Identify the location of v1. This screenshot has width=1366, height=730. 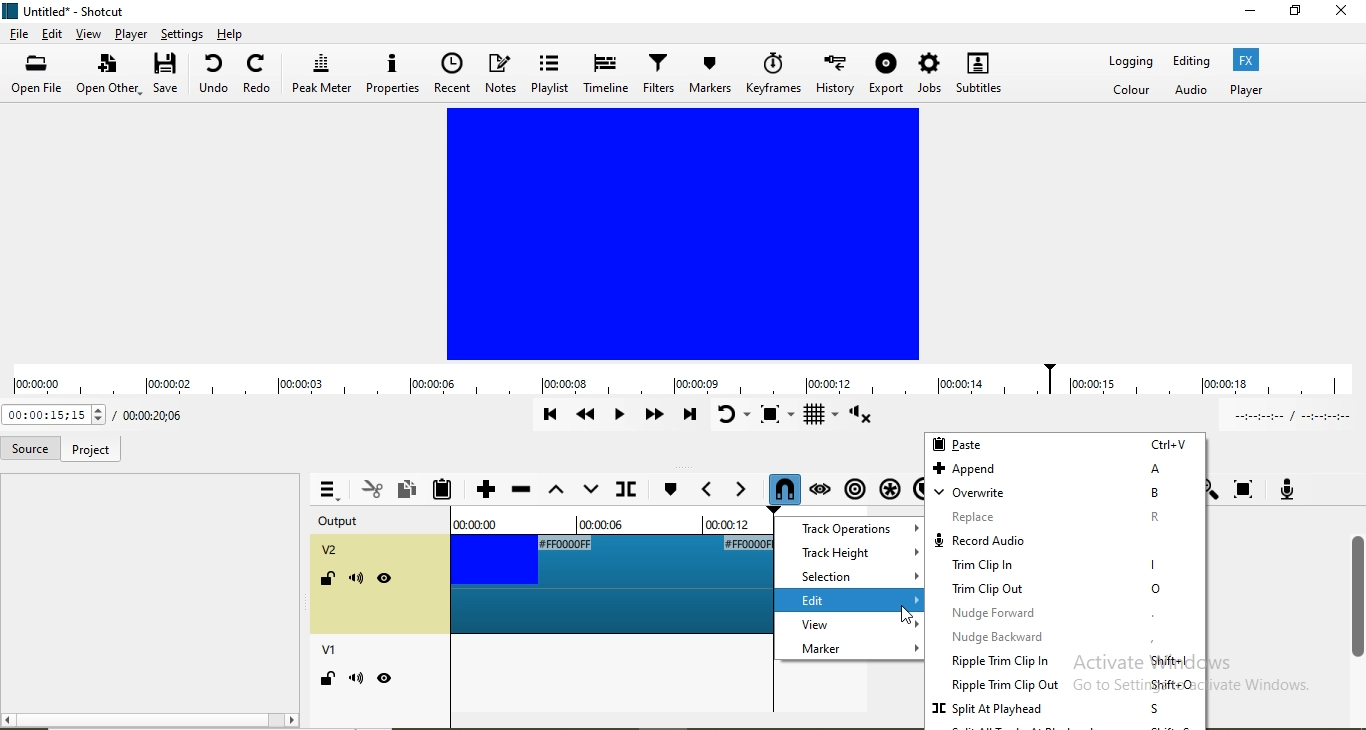
(332, 652).